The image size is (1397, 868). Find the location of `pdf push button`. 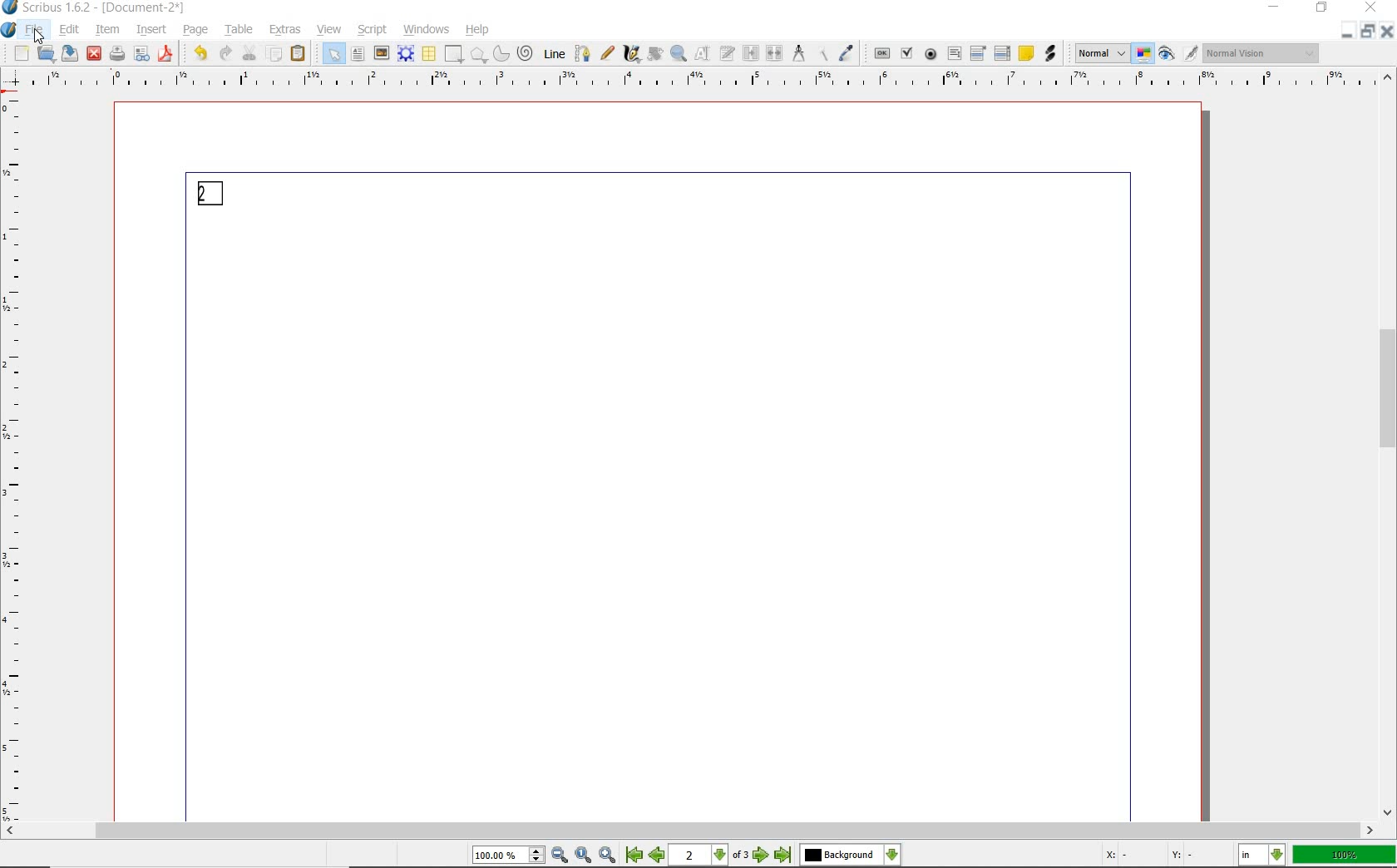

pdf push button is located at coordinates (883, 54).